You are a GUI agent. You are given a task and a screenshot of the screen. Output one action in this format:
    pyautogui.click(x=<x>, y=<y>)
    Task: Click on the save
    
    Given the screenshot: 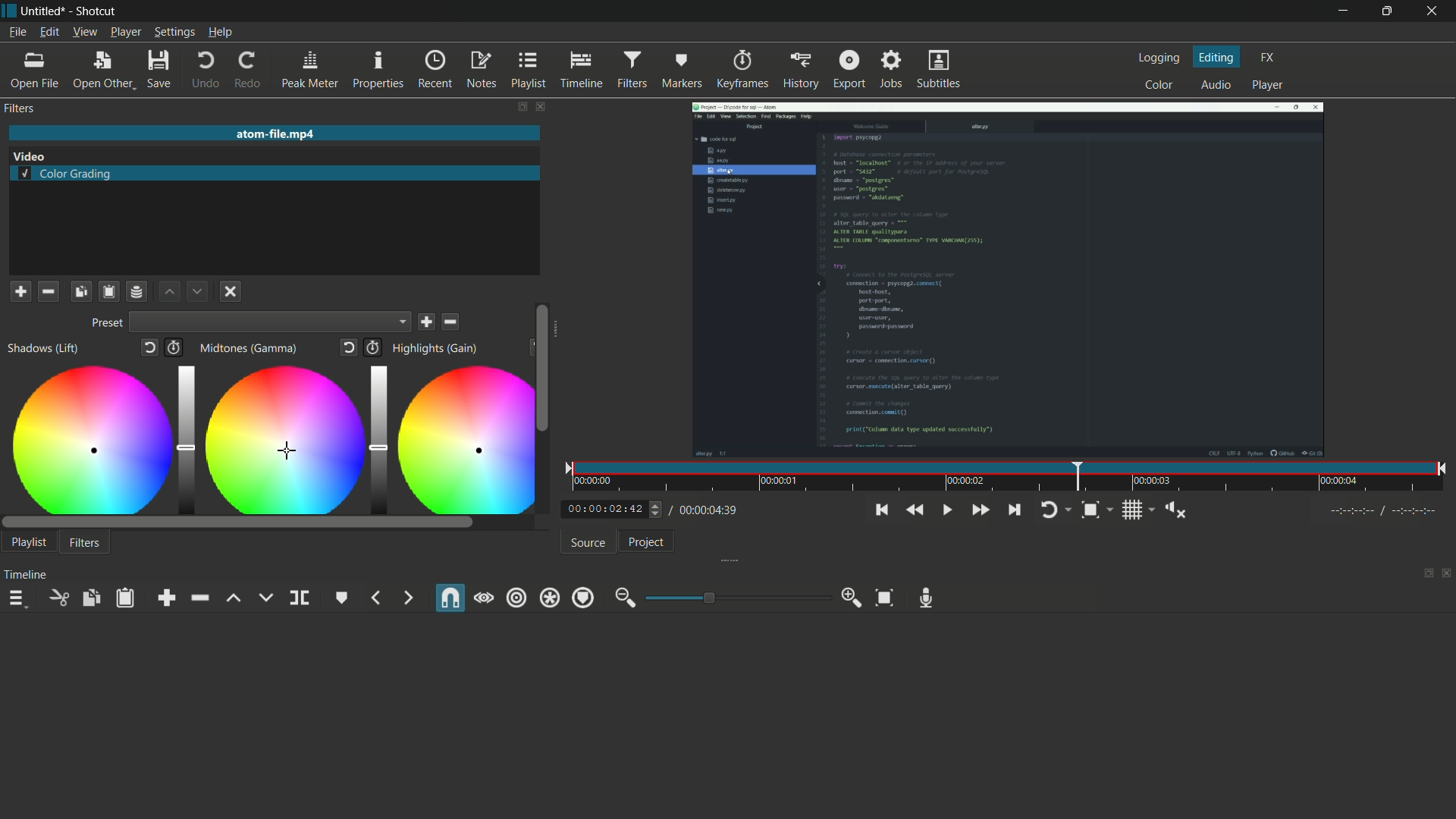 What is the action you would take?
    pyautogui.click(x=158, y=72)
    